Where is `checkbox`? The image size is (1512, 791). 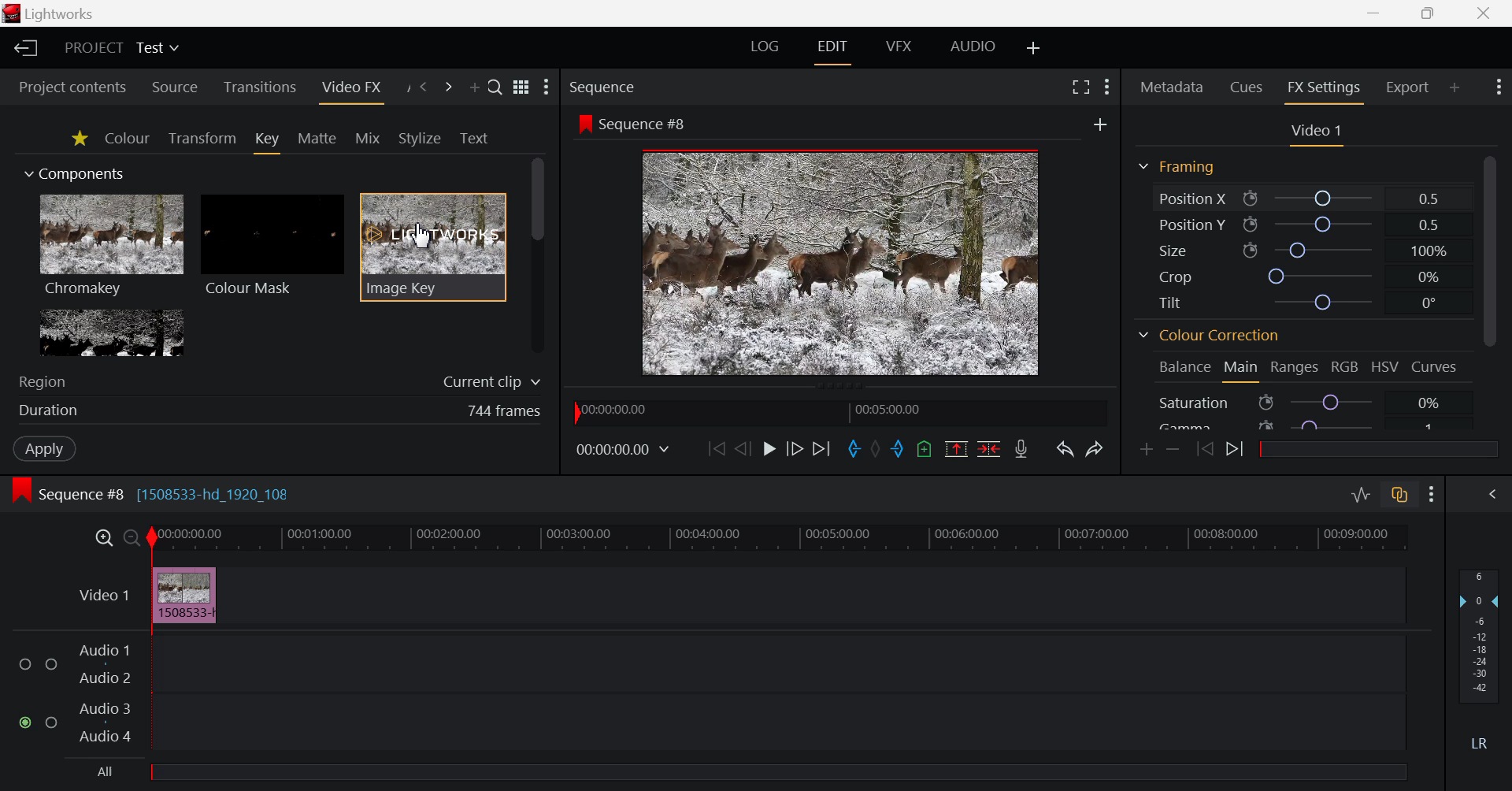
checkbox is located at coordinates (52, 724).